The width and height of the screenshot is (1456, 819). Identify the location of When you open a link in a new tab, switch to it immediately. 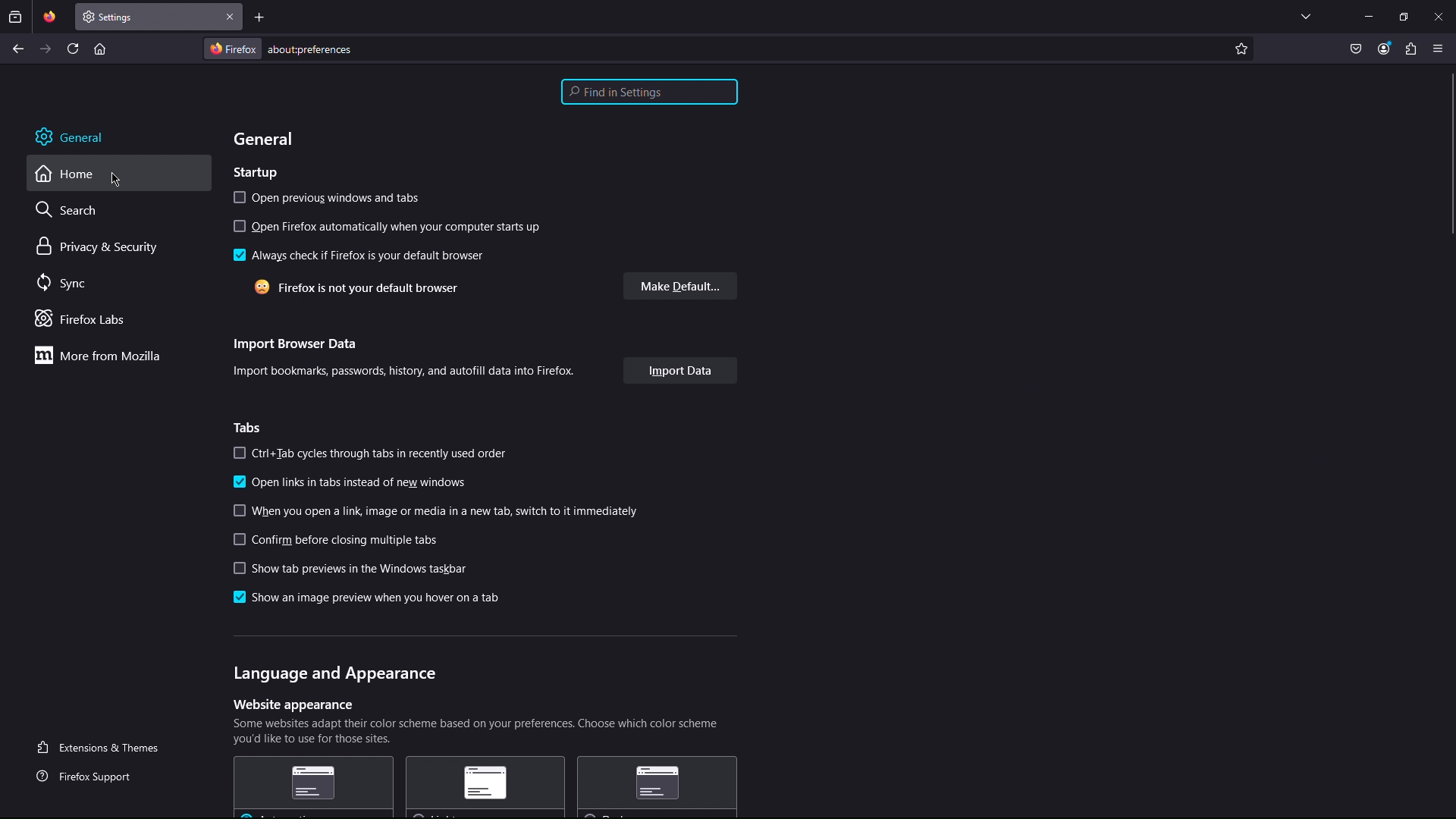
(437, 511).